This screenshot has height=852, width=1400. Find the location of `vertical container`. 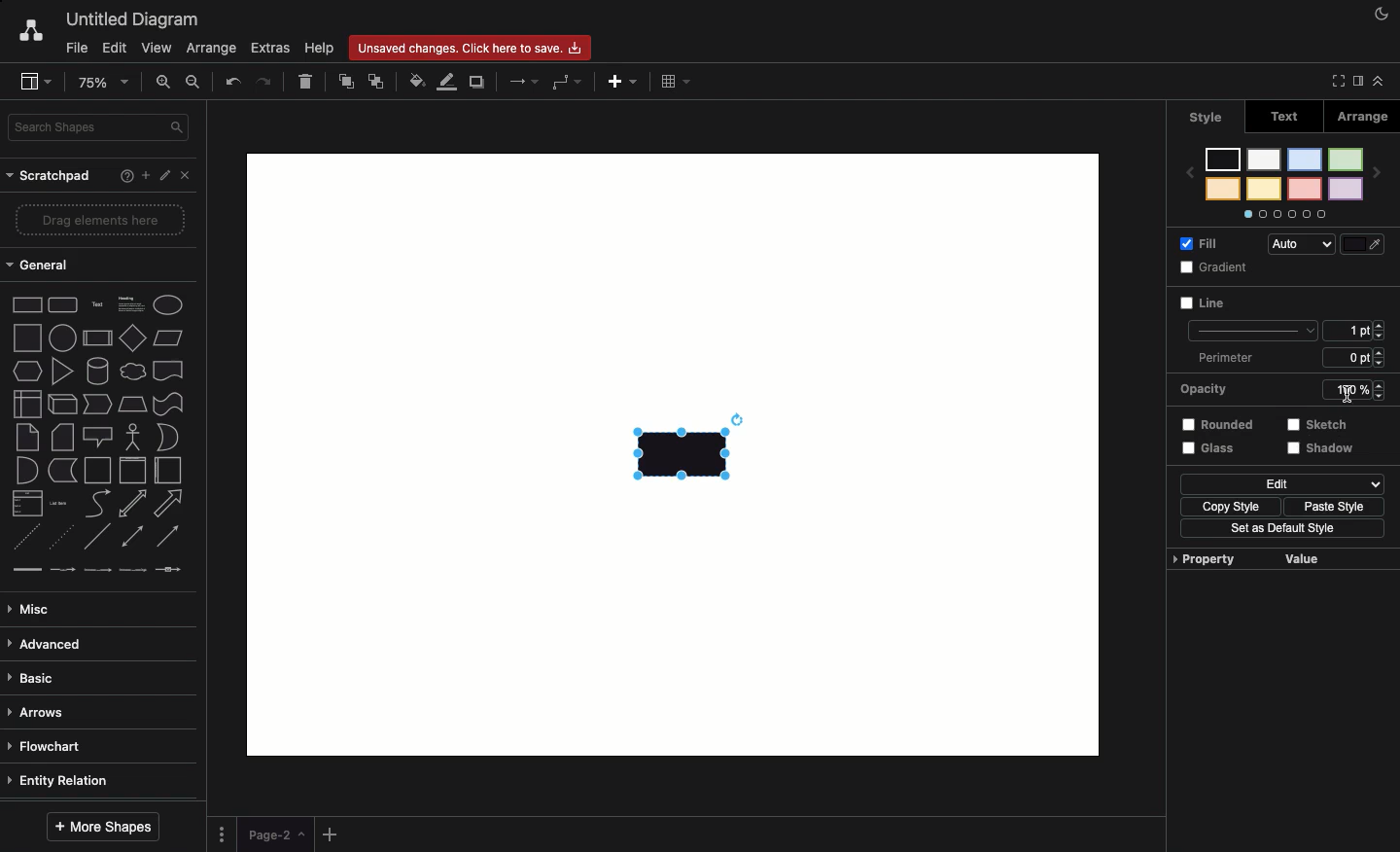

vertical container is located at coordinates (131, 472).